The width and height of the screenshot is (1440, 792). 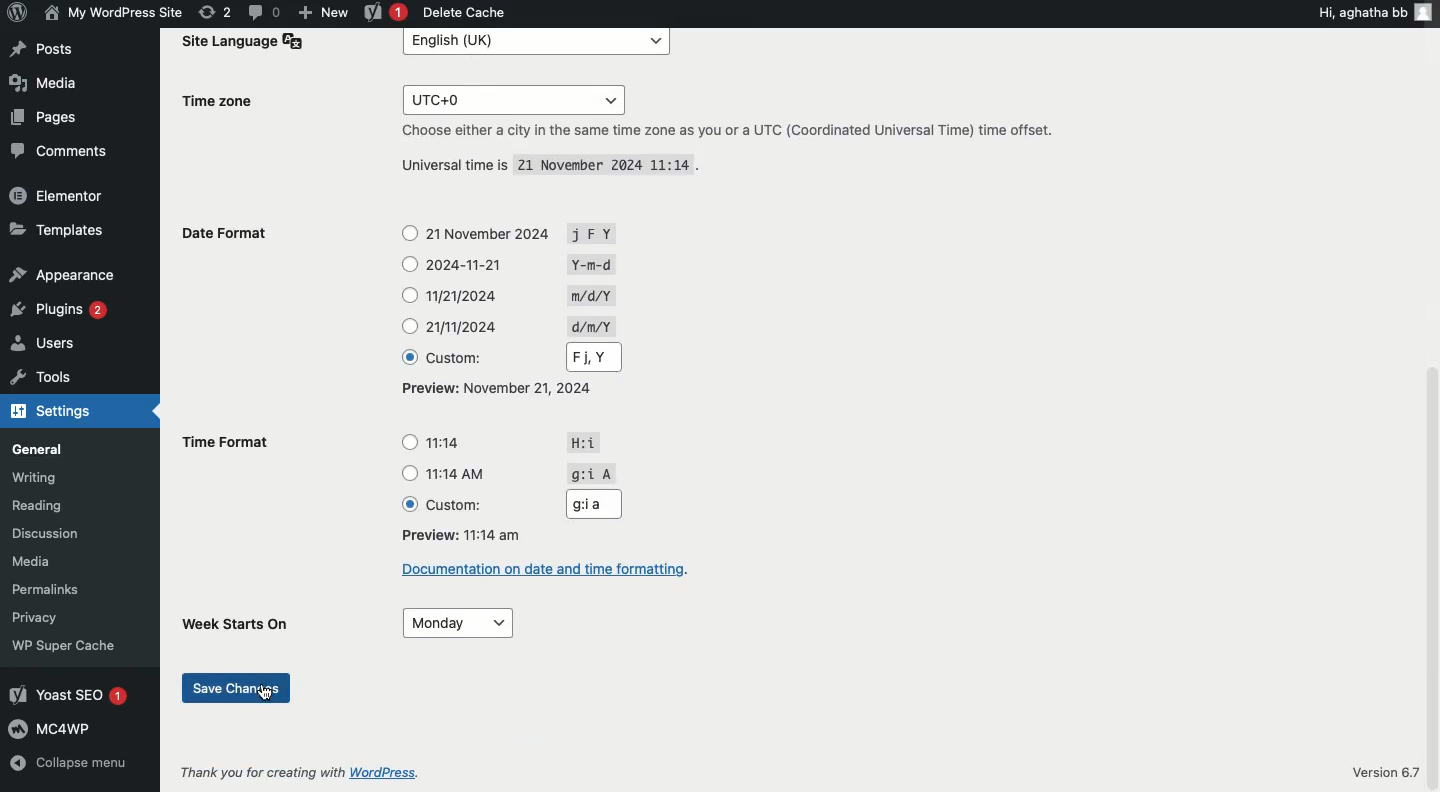 What do you see at coordinates (48, 117) in the screenshot?
I see `Pages` at bounding box center [48, 117].